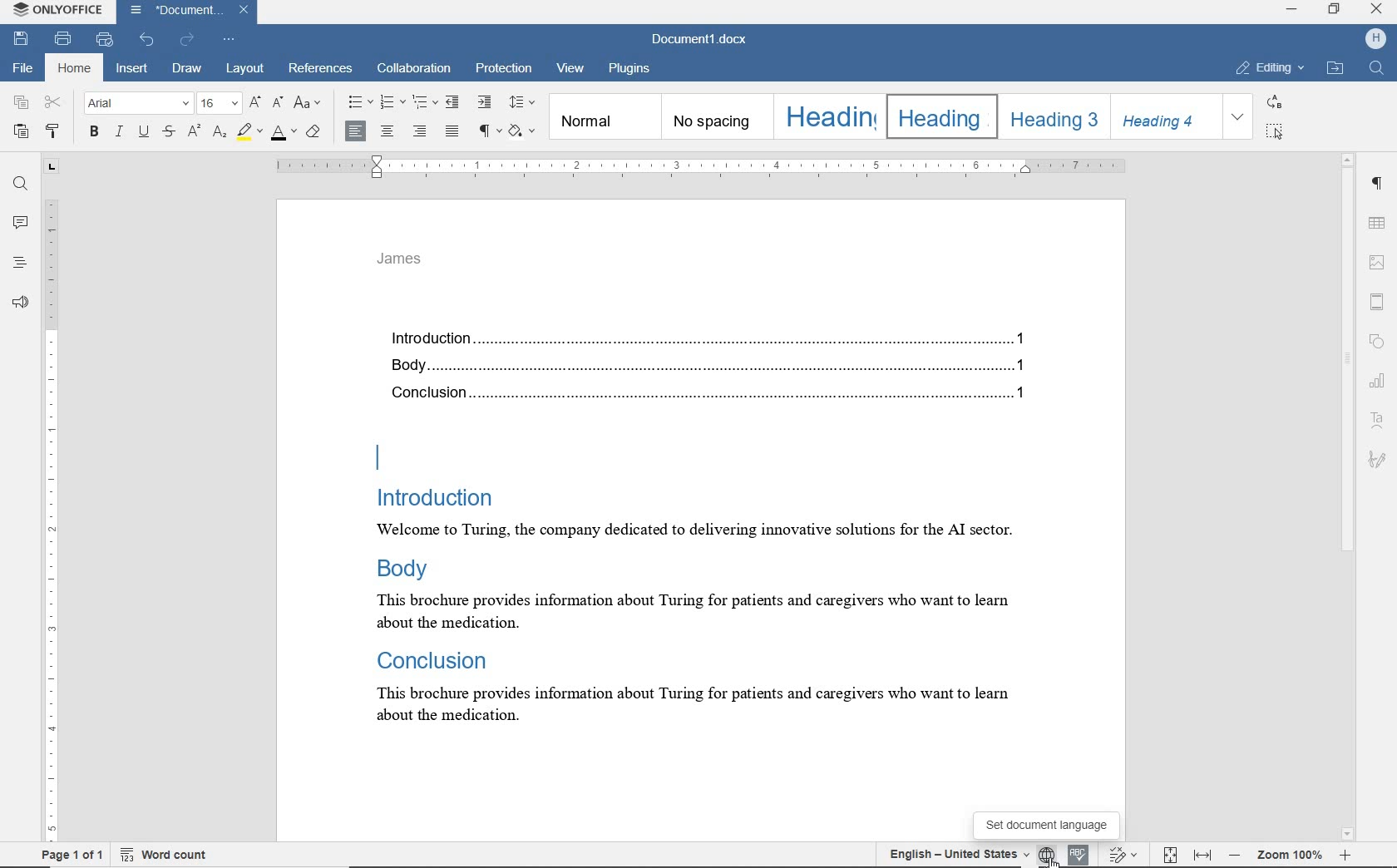  Describe the element at coordinates (1079, 854) in the screenshot. I see `spell check` at that location.